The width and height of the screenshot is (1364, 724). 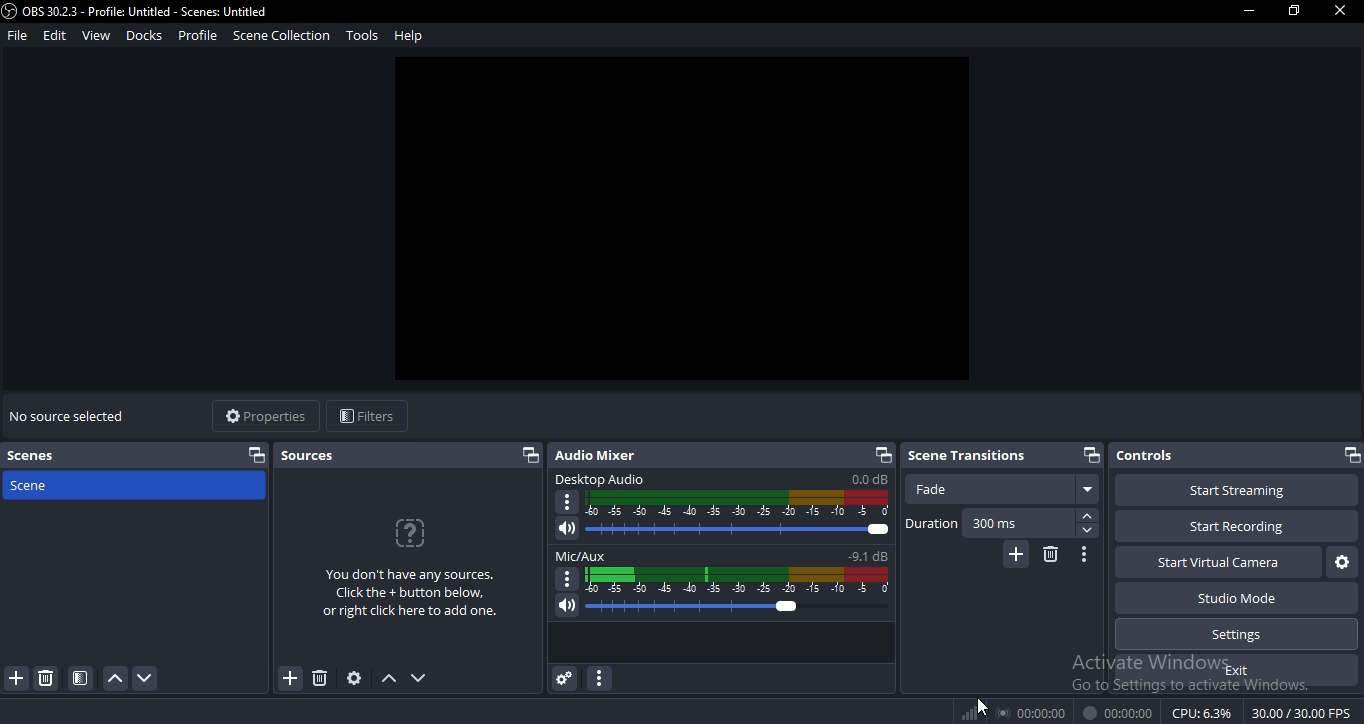 I want to click on icon, so click(x=411, y=531).